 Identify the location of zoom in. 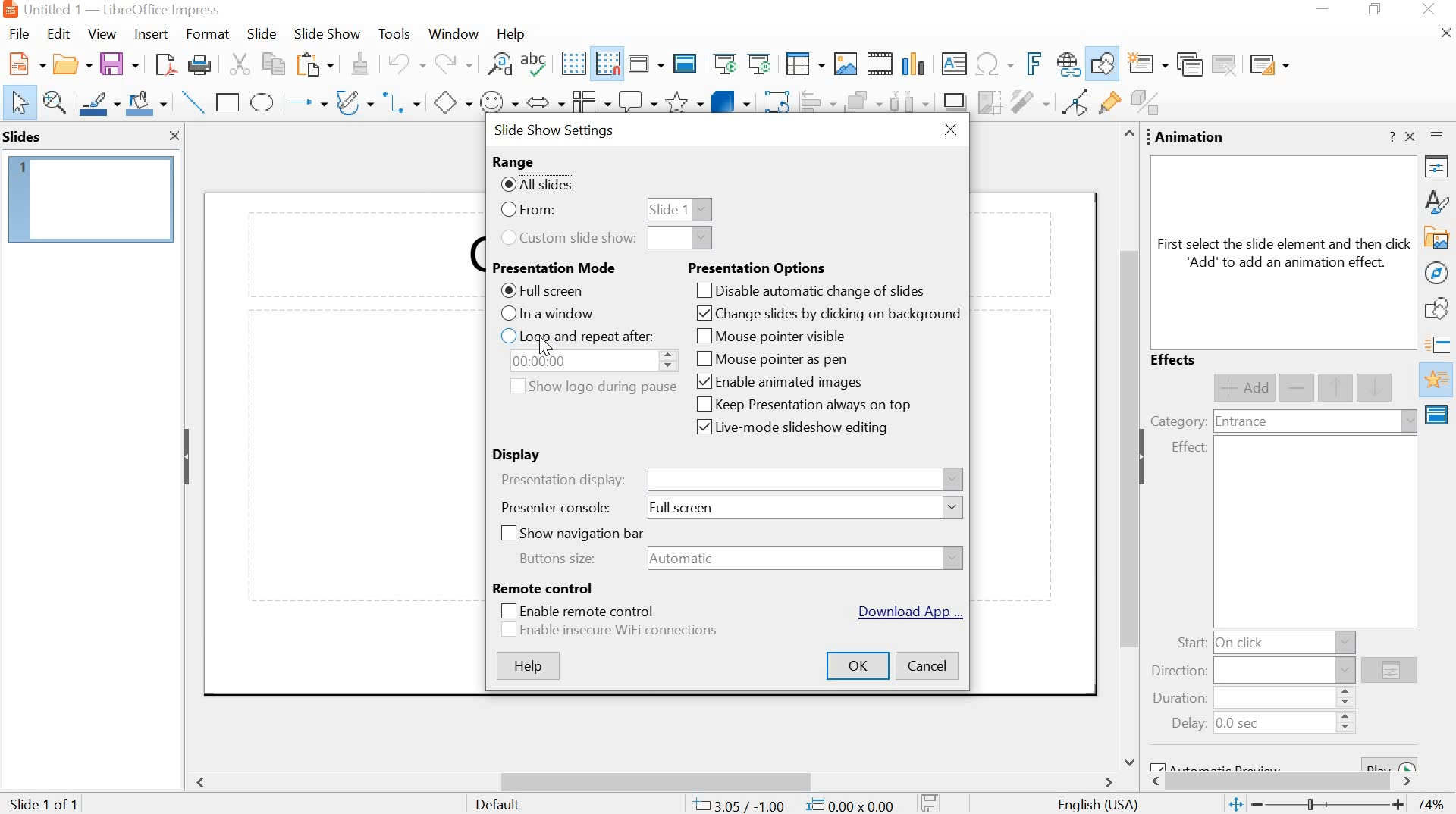
(1398, 806).